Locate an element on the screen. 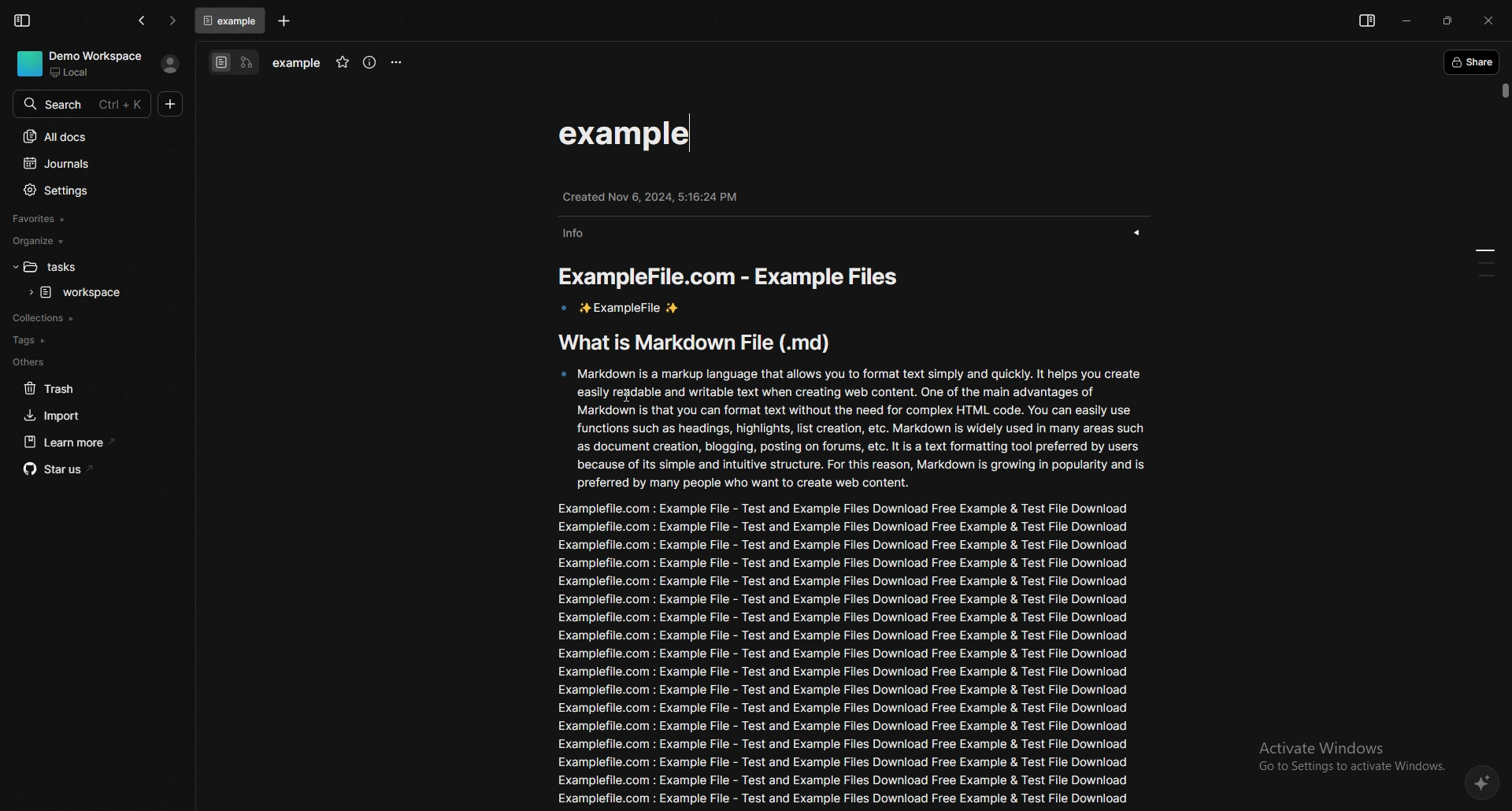 The width and height of the screenshot is (1512, 811). Activate Windows
Go to Settings to activate Windows. is located at coordinates (1347, 755).